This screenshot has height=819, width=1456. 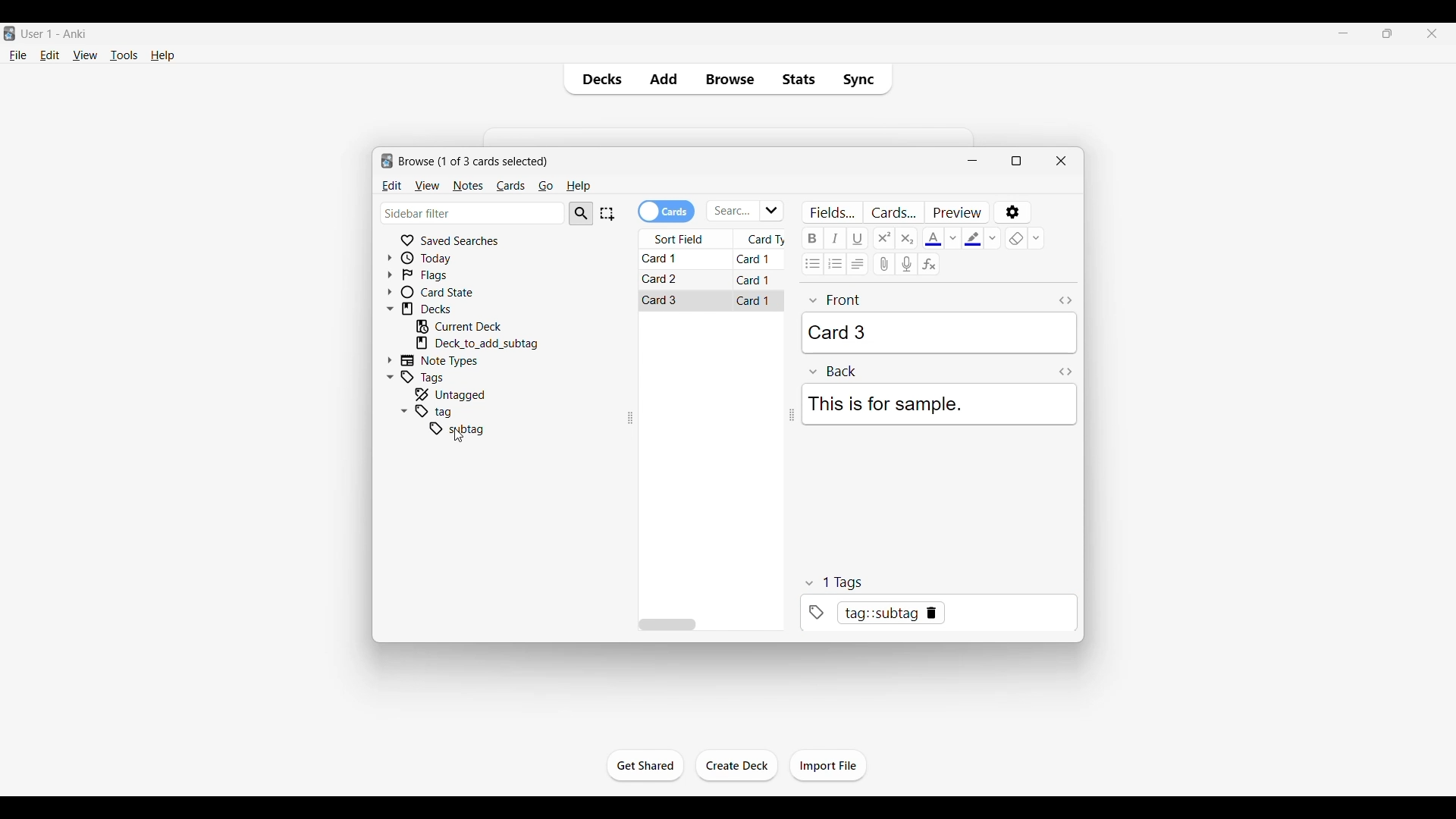 What do you see at coordinates (474, 212) in the screenshot?
I see `Click to type in search` at bounding box center [474, 212].